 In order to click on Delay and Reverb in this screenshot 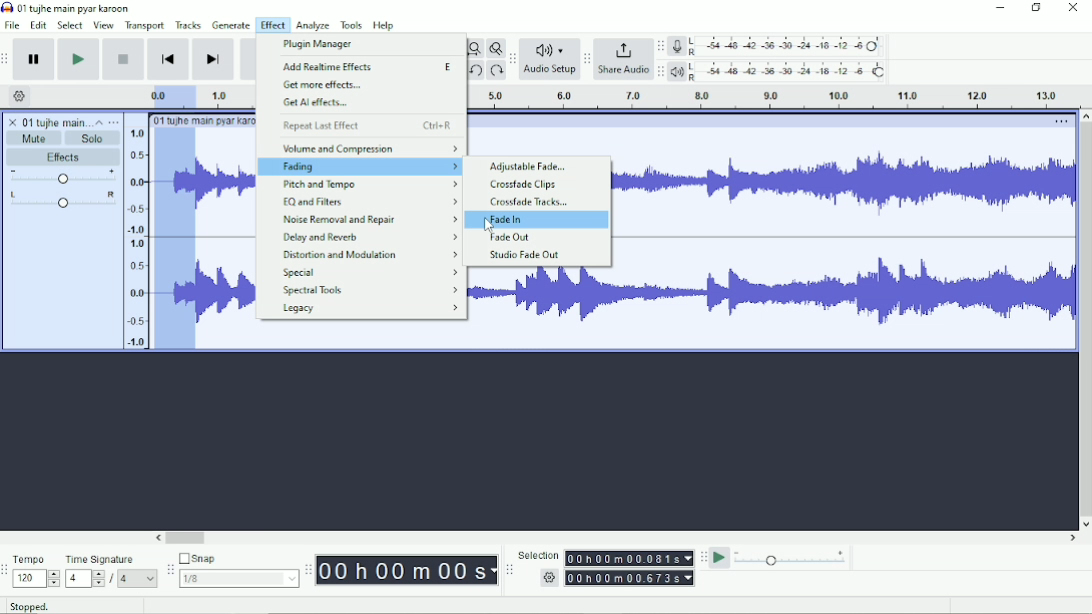, I will do `click(369, 238)`.